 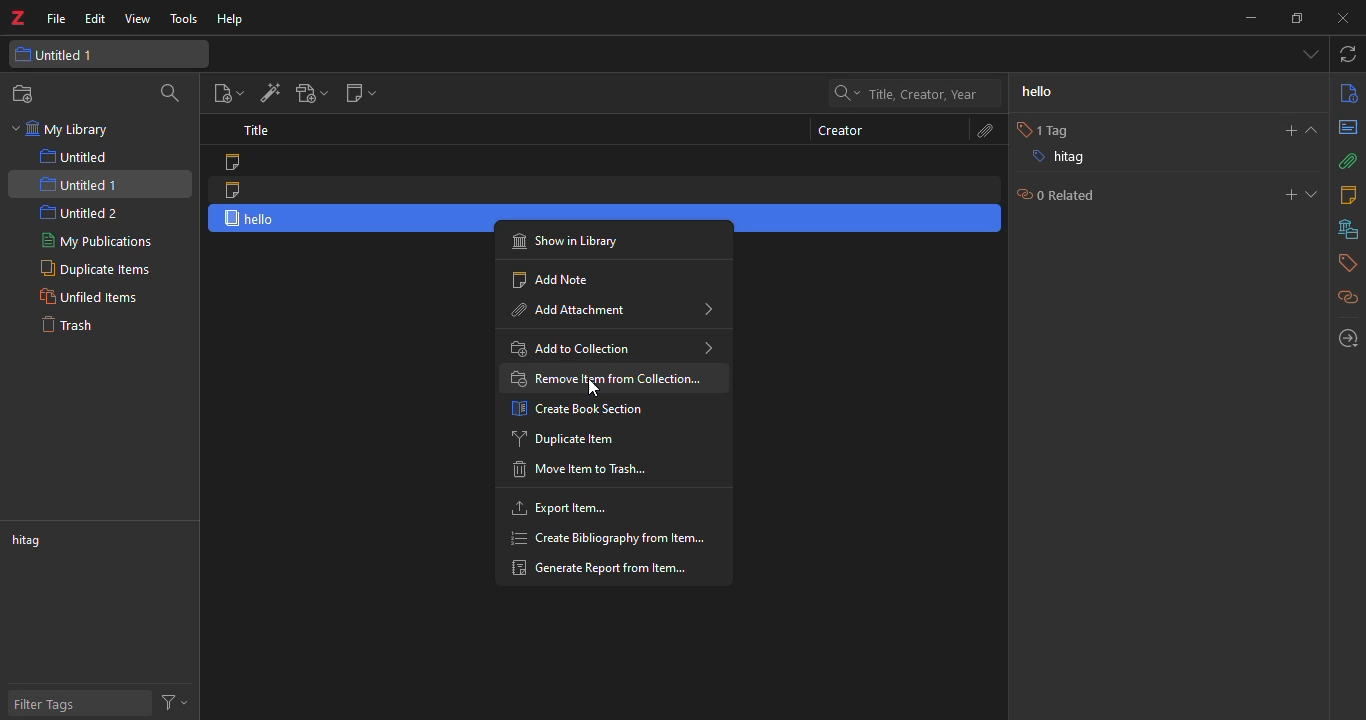 I want to click on duplicated items, so click(x=92, y=269).